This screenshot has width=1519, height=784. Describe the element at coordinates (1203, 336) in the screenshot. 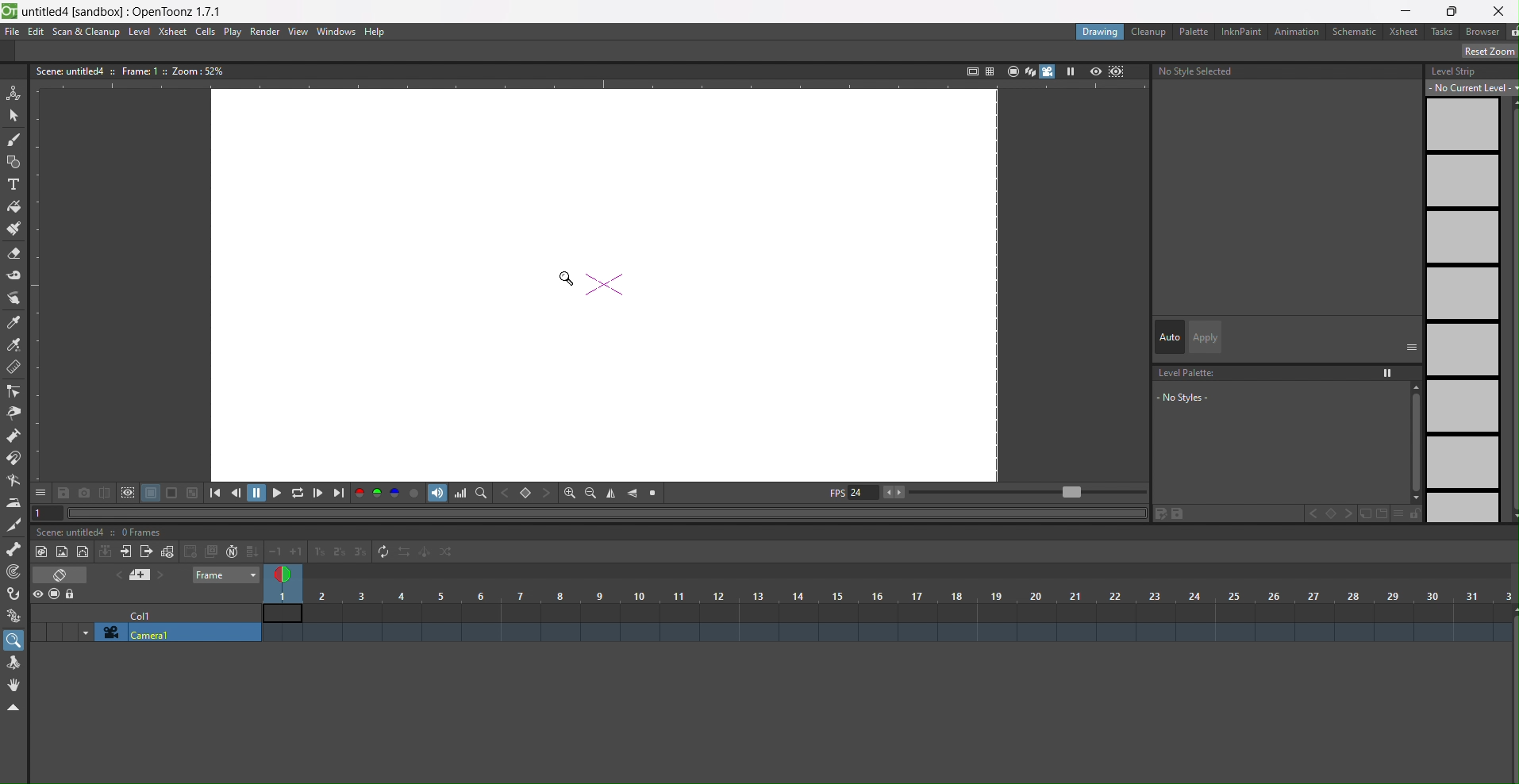

I see `apply` at that location.